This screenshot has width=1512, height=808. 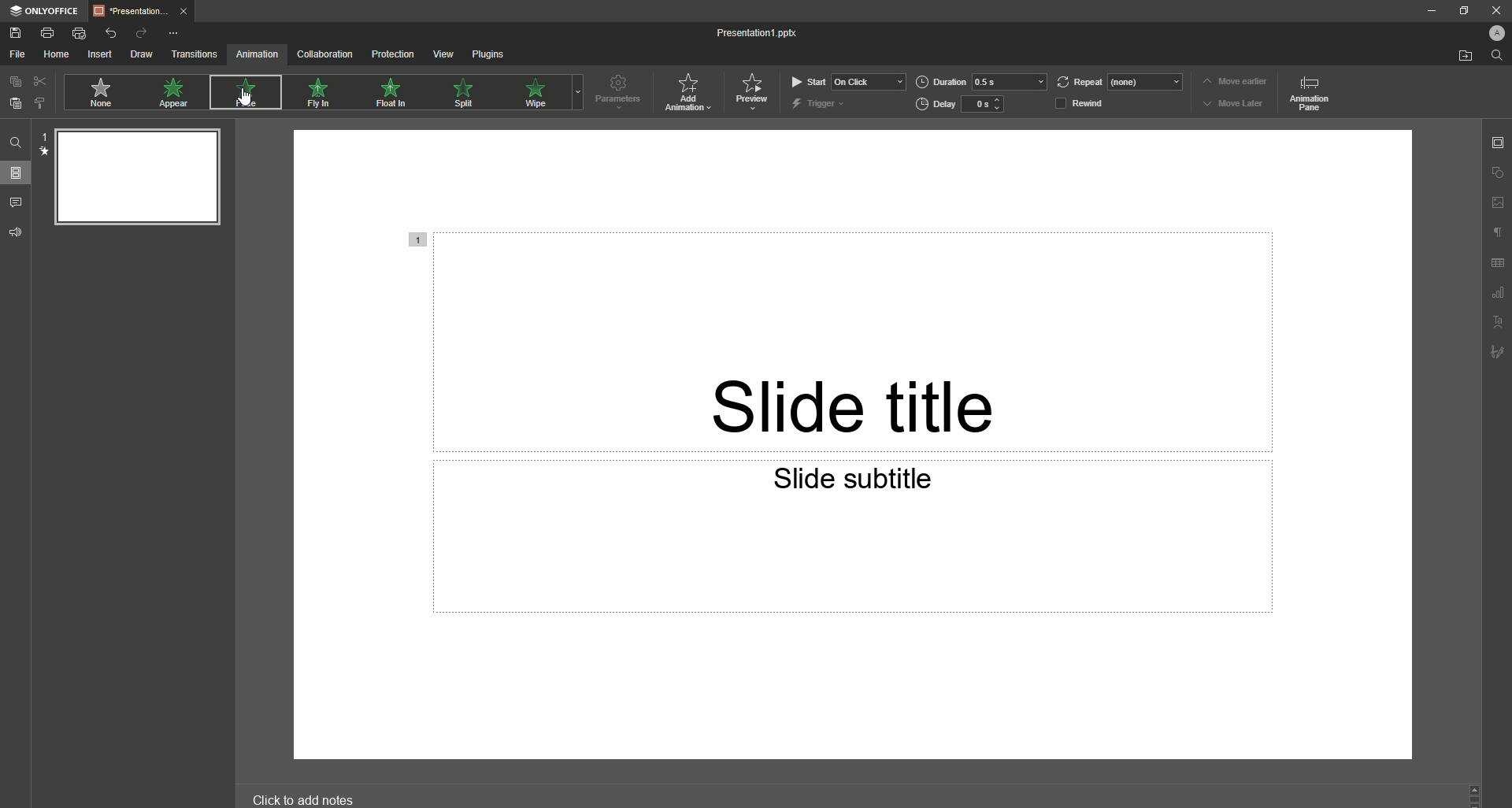 I want to click on Duration, so click(x=981, y=82).